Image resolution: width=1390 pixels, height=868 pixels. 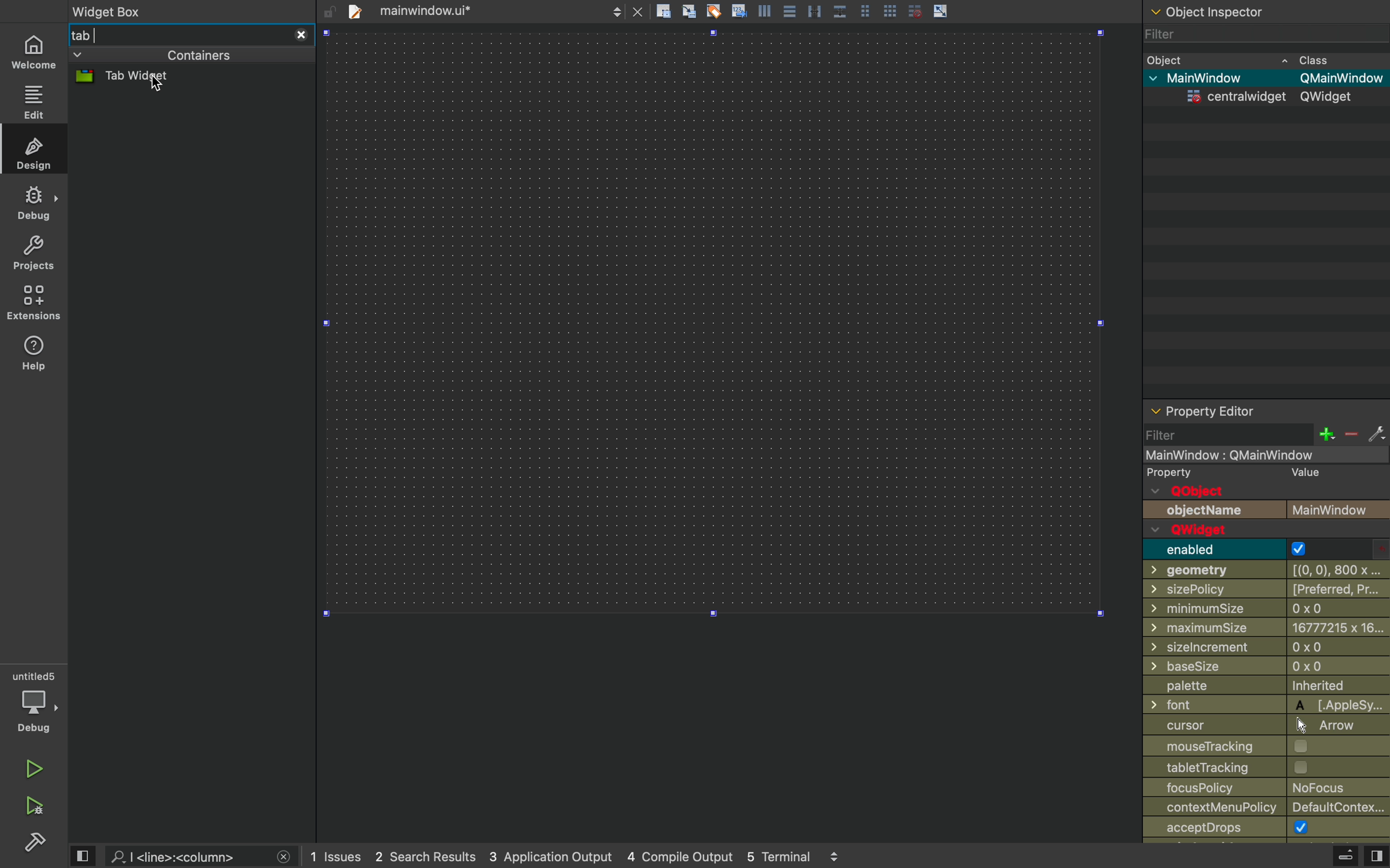 What do you see at coordinates (788, 10) in the screenshot?
I see `align center` at bounding box center [788, 10].